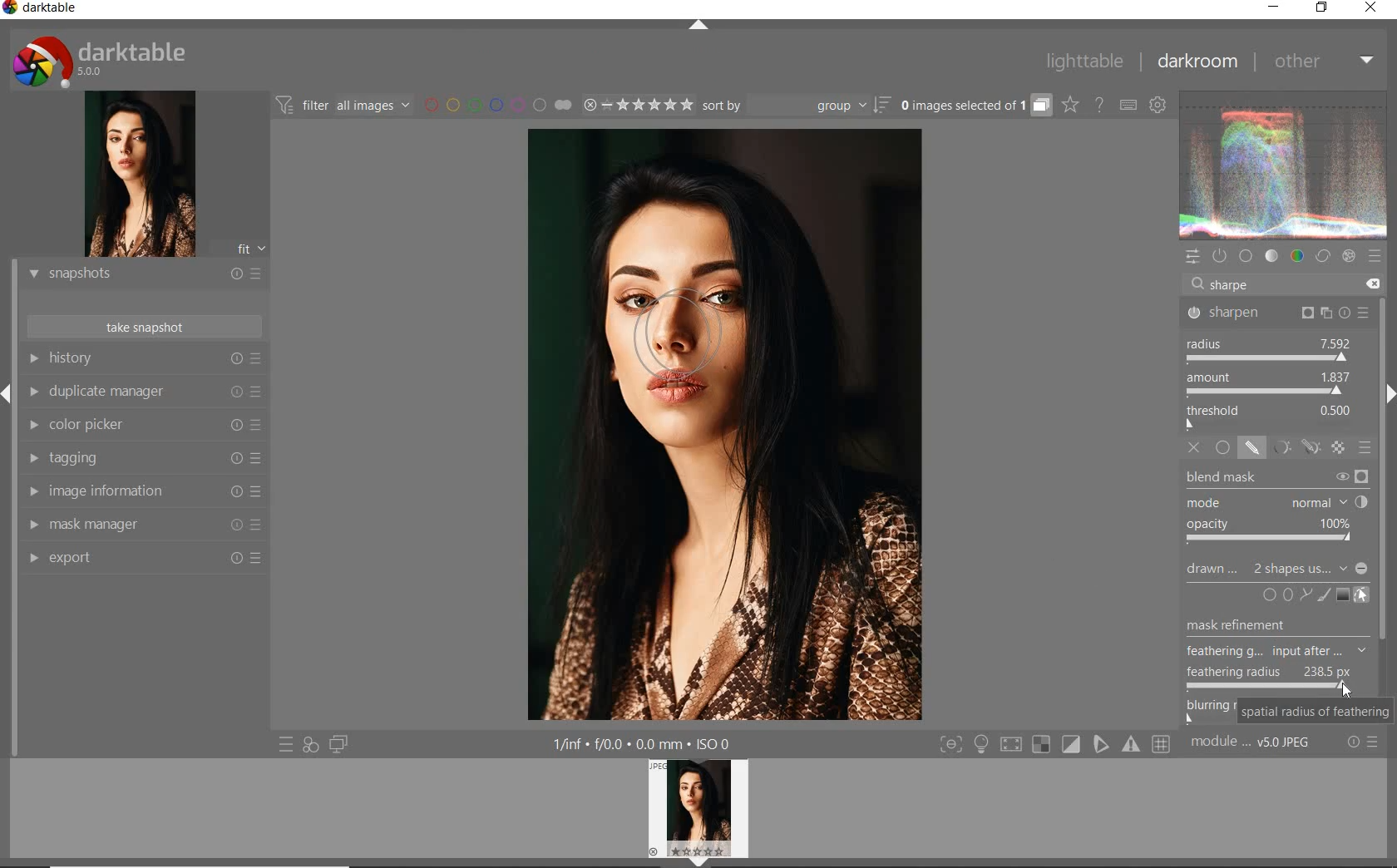 The width and height of the screenshot is (1397, 868). I want to click on AMOUNT, so click(1269, 383).